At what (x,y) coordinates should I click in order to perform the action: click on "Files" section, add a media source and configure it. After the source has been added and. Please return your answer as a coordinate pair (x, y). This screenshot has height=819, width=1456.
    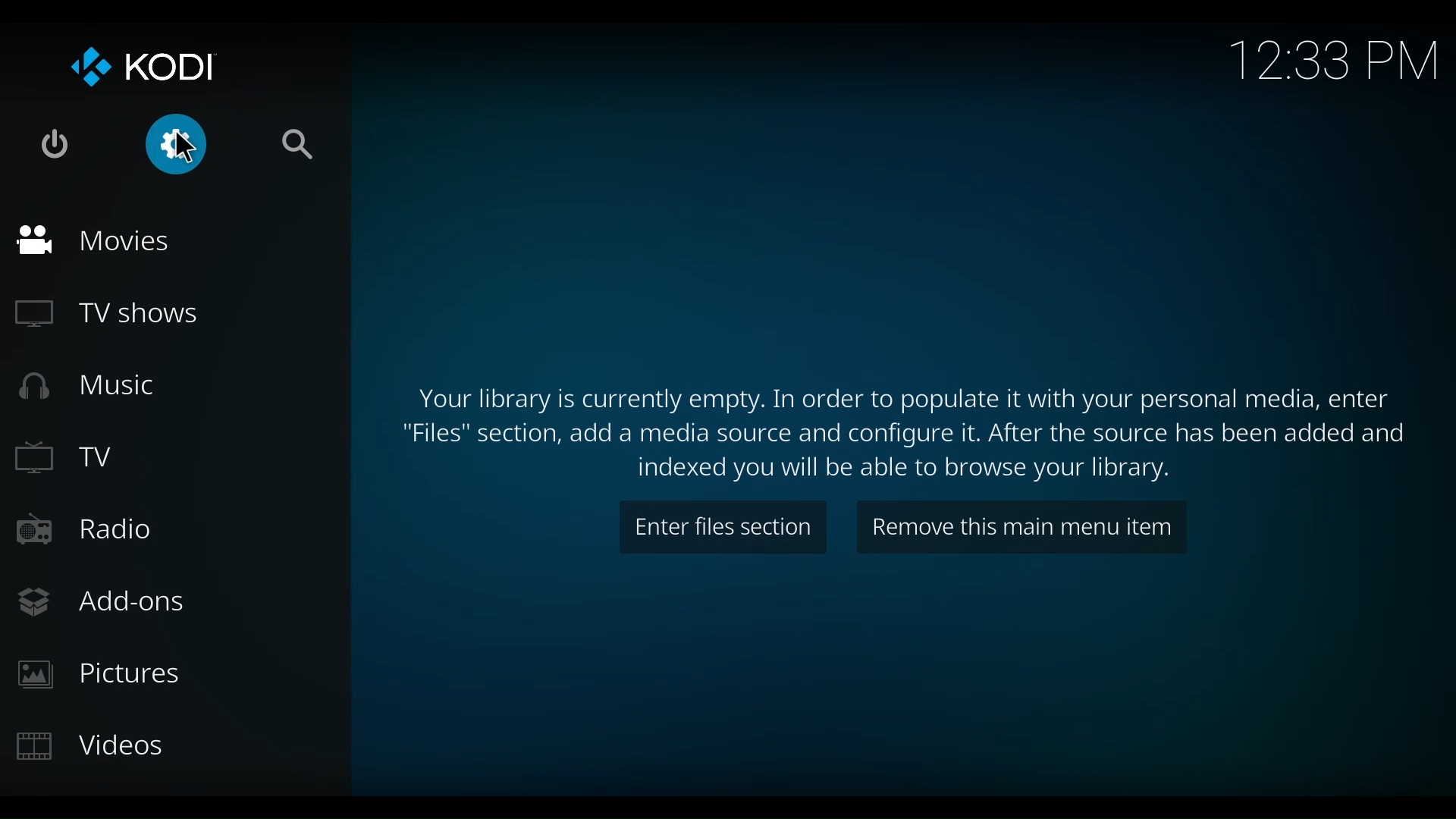
    Looking at the image, I should click on (917, 435).